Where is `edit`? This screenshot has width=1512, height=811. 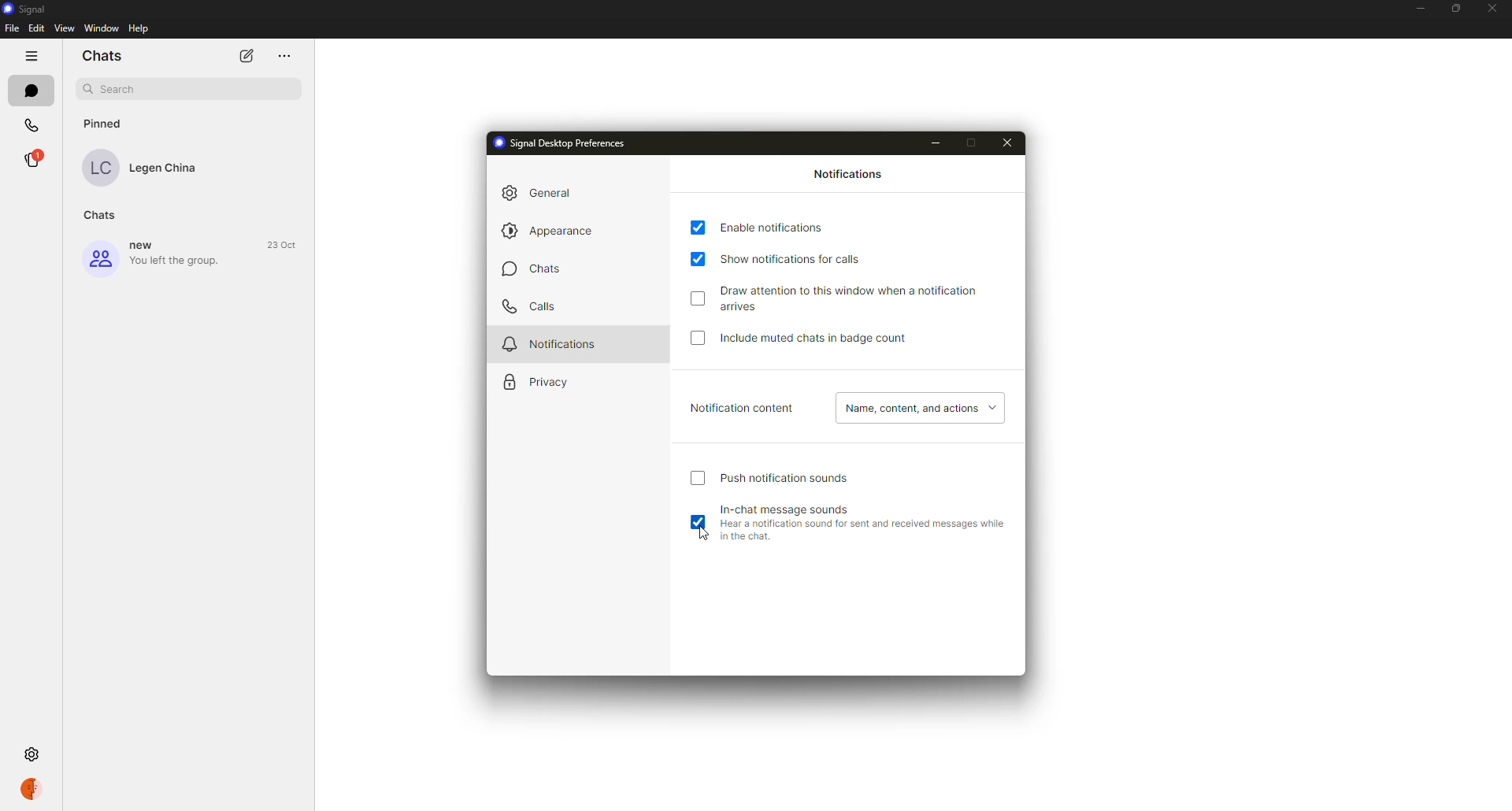
edit is located at coordinates (246, 55).